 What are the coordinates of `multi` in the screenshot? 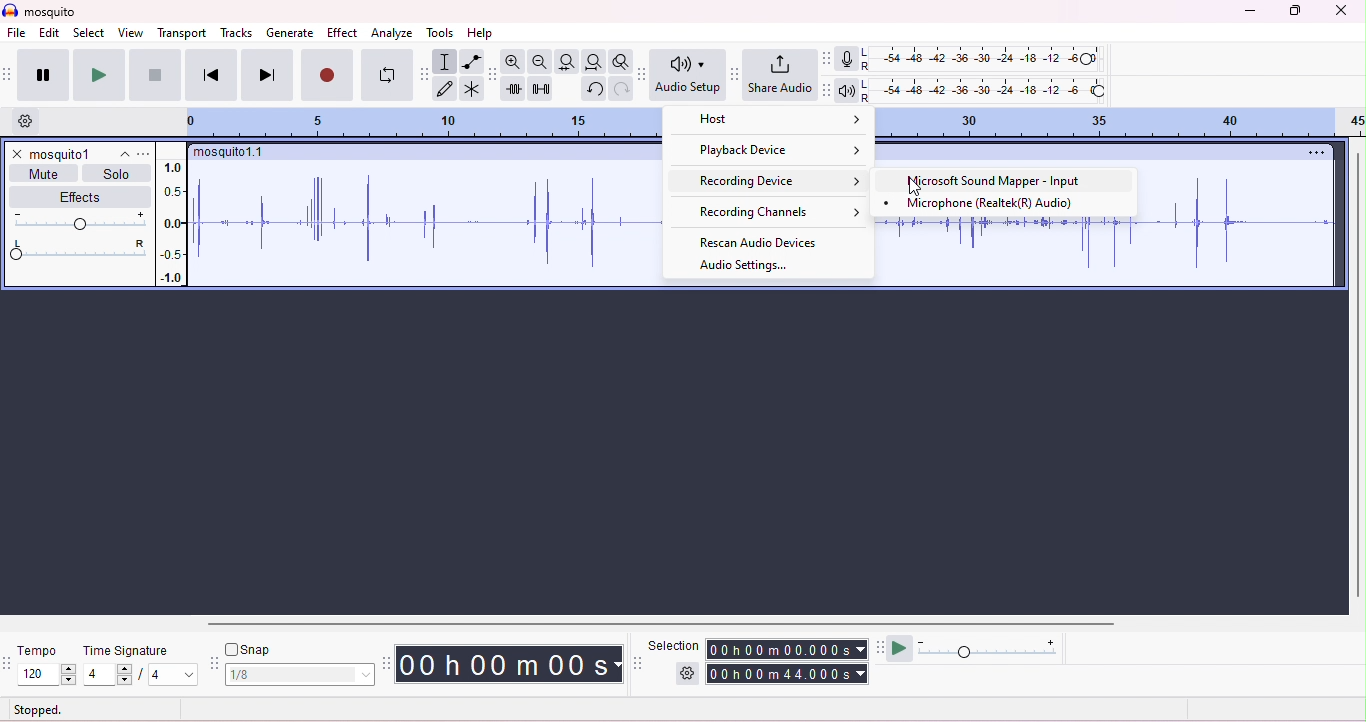 It's located at (470, 88).